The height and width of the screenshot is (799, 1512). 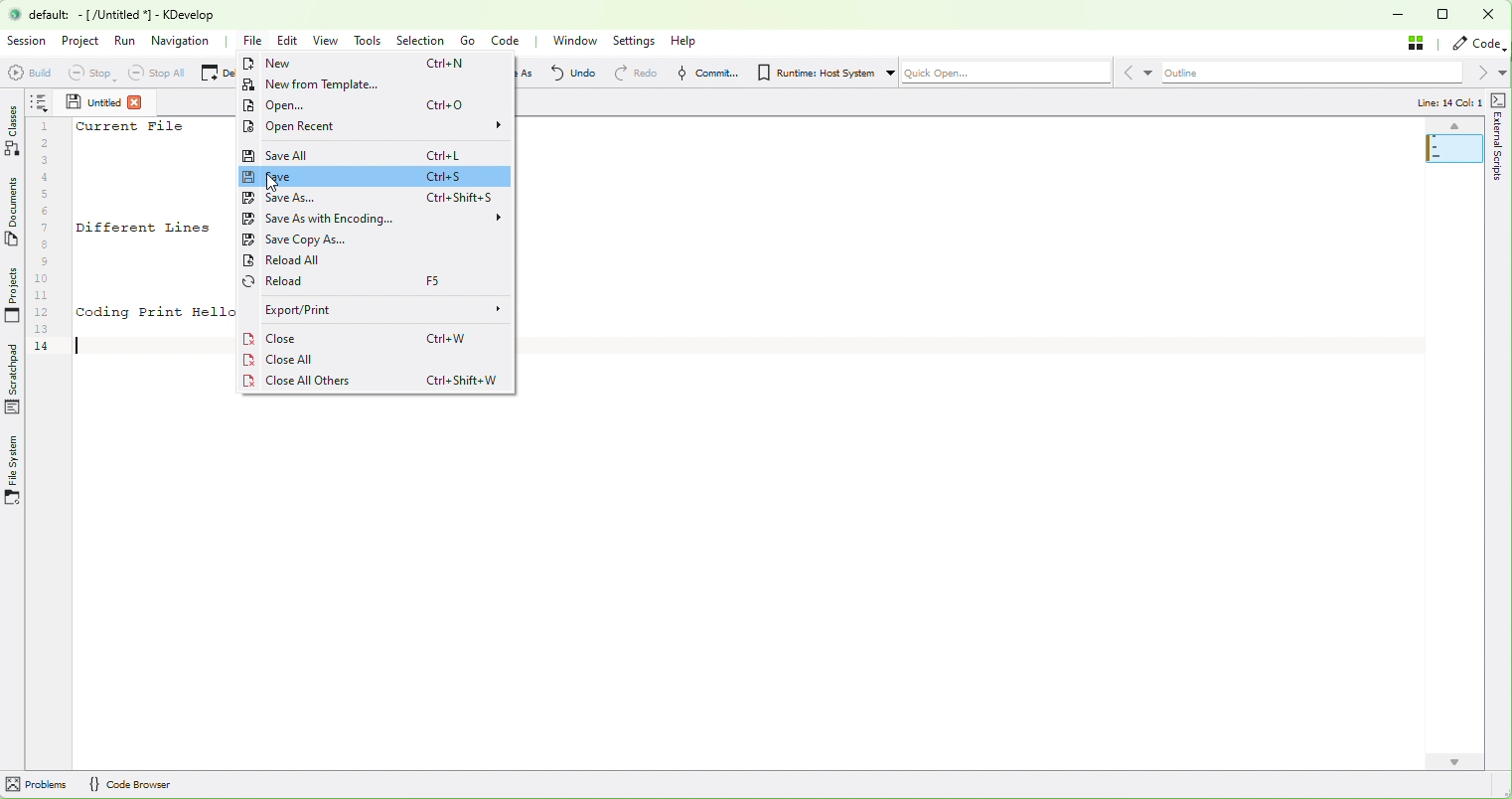 What do you see at coordinates (326, 261) in the screenshot?
I see `Reload all` at bounding box center [326, 261].